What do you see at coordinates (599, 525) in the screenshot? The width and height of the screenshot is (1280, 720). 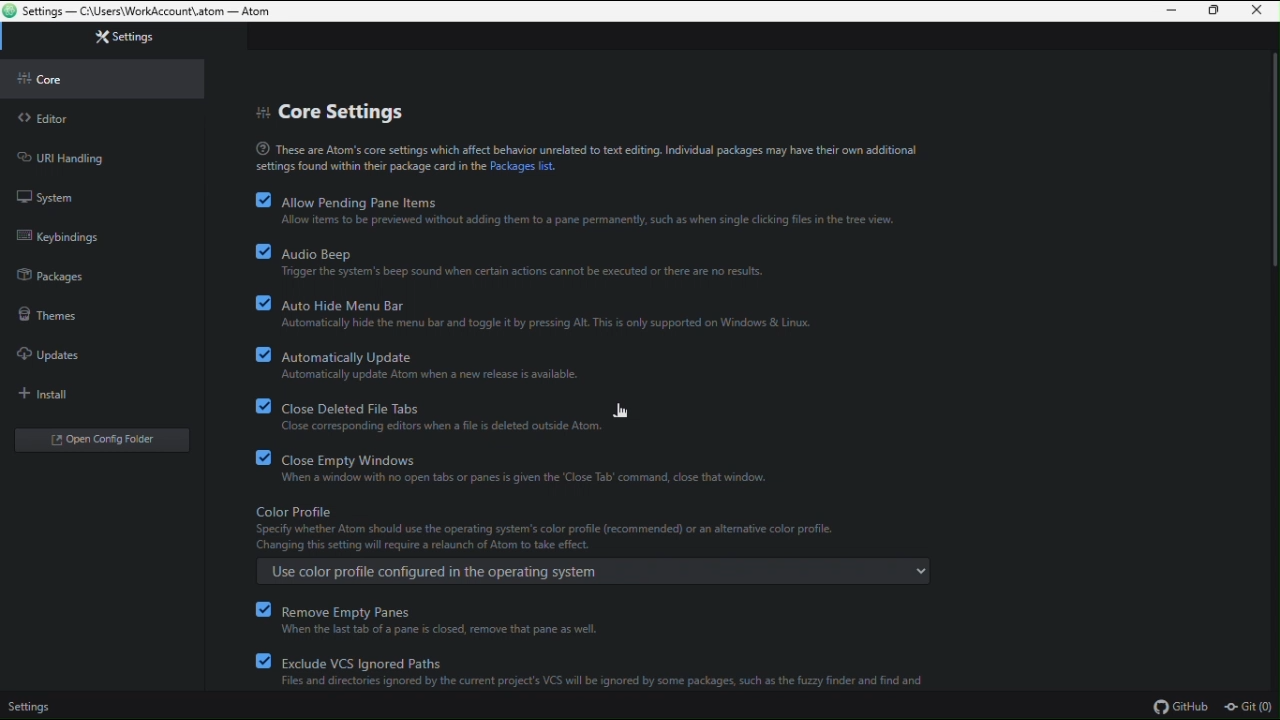 I see `colour profile ` at bounding box center [599, 525].